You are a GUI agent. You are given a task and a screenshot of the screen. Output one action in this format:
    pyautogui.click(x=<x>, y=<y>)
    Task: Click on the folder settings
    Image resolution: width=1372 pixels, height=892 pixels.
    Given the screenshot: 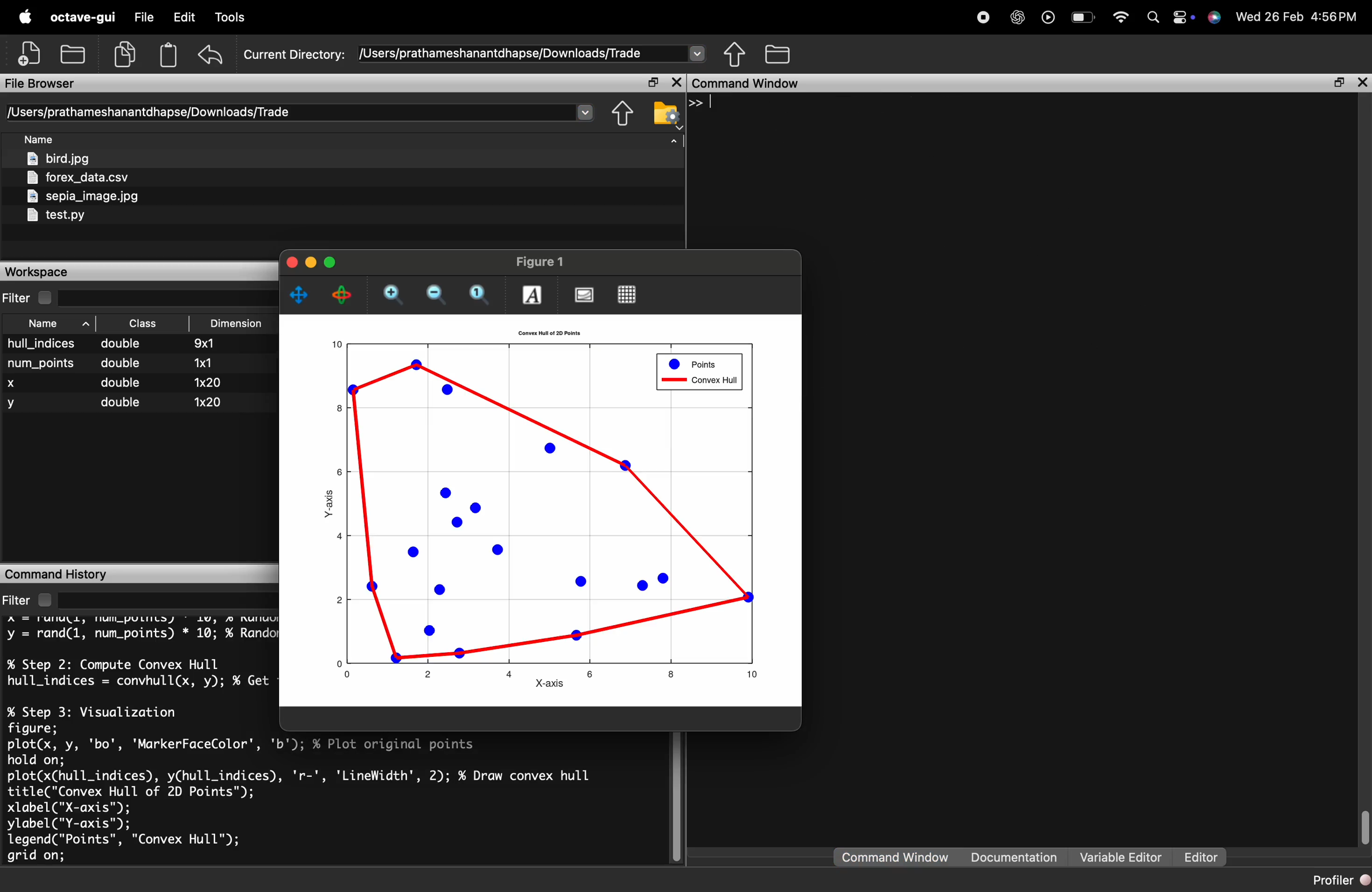 What is the action you would take?
    pyautogui.click(x=668, y=114)
    